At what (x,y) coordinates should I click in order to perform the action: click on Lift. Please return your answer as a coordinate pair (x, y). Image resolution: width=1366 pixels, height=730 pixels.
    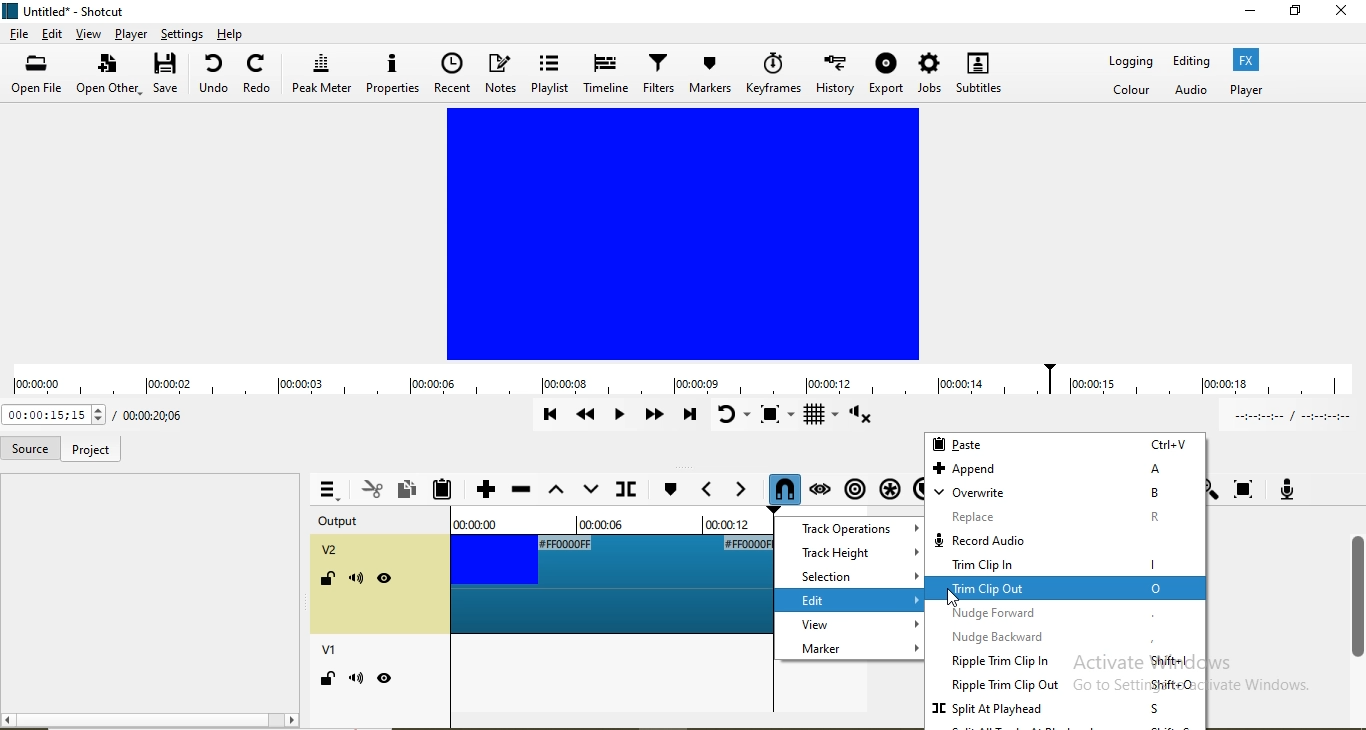
    Looking at the image, I should click on (556, 494).